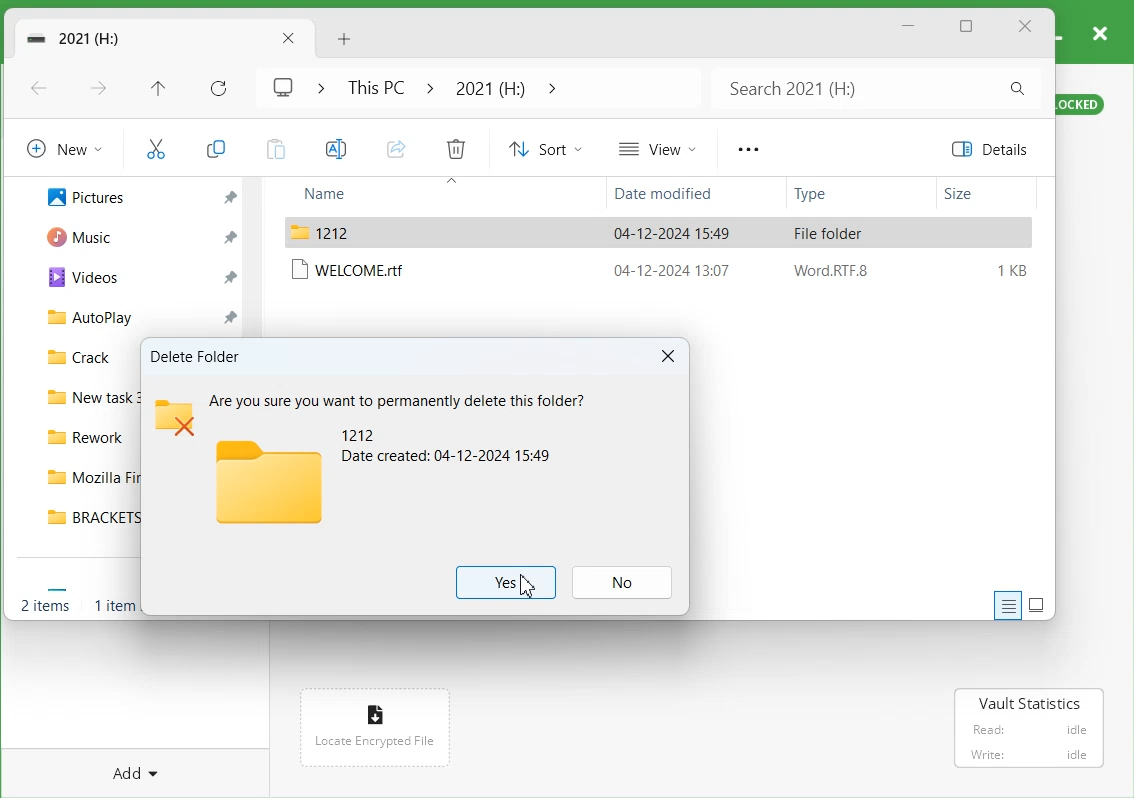  Describe the element at coordinates (86, 238) in the screenshot. I see `Music` at that location.